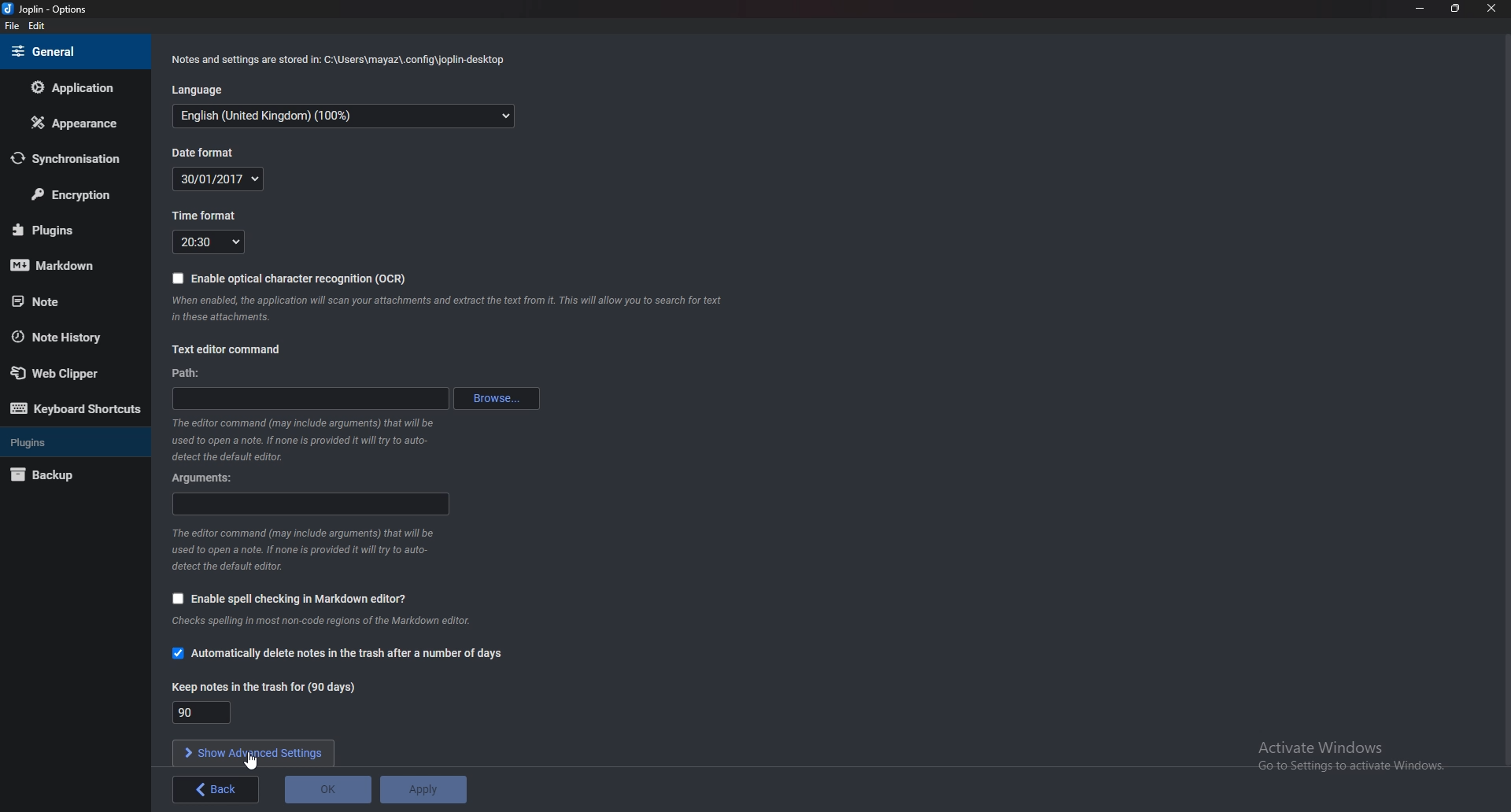  Describe the element at coordinates (449, 308) in the screenshot. I see `info on ocr` at that location.